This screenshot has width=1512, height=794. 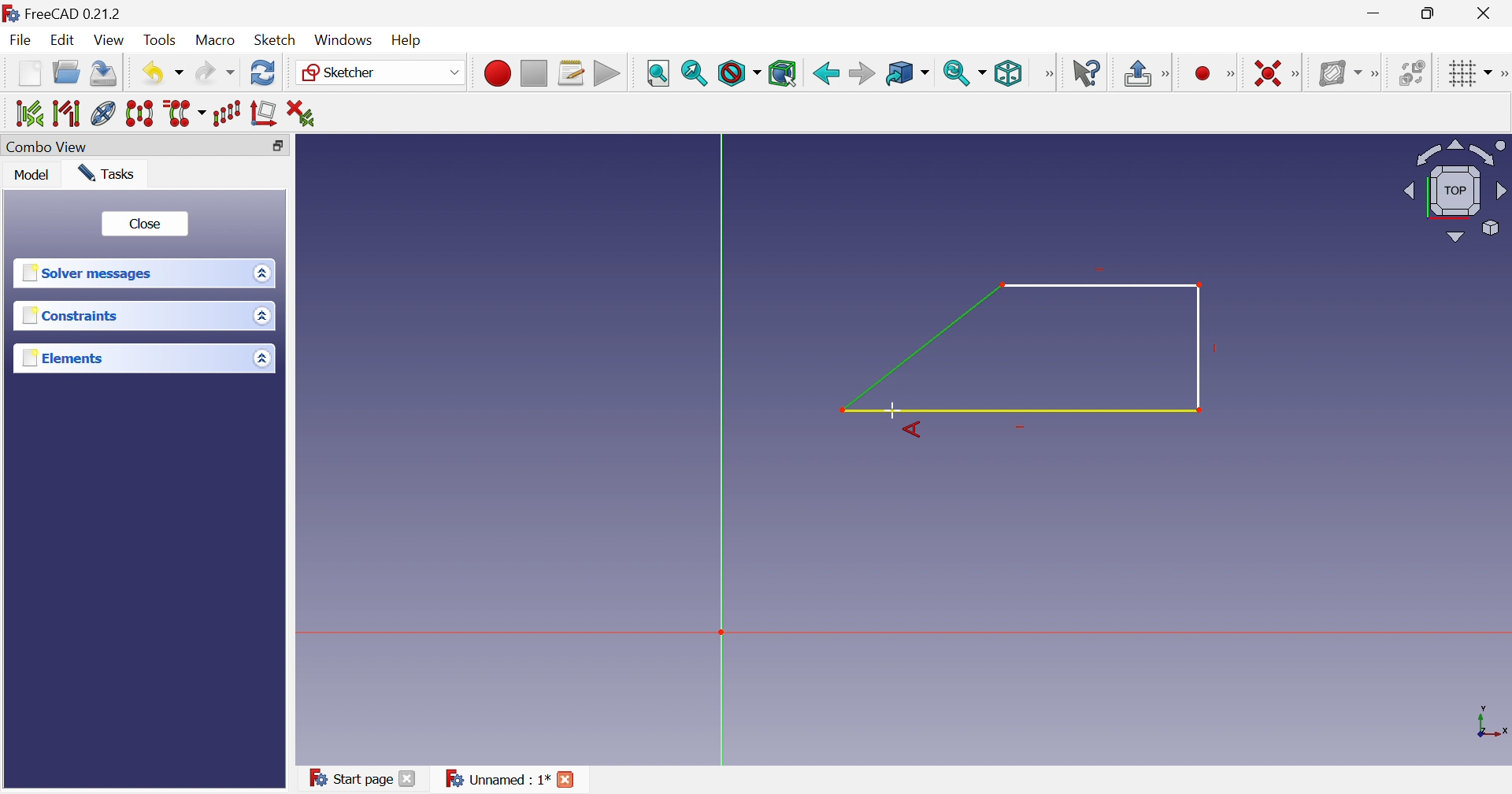 What do you see at coordinates (1492, 722) in the screenshot?
I see `X, Y plane` at bounding box center [1492, 722].